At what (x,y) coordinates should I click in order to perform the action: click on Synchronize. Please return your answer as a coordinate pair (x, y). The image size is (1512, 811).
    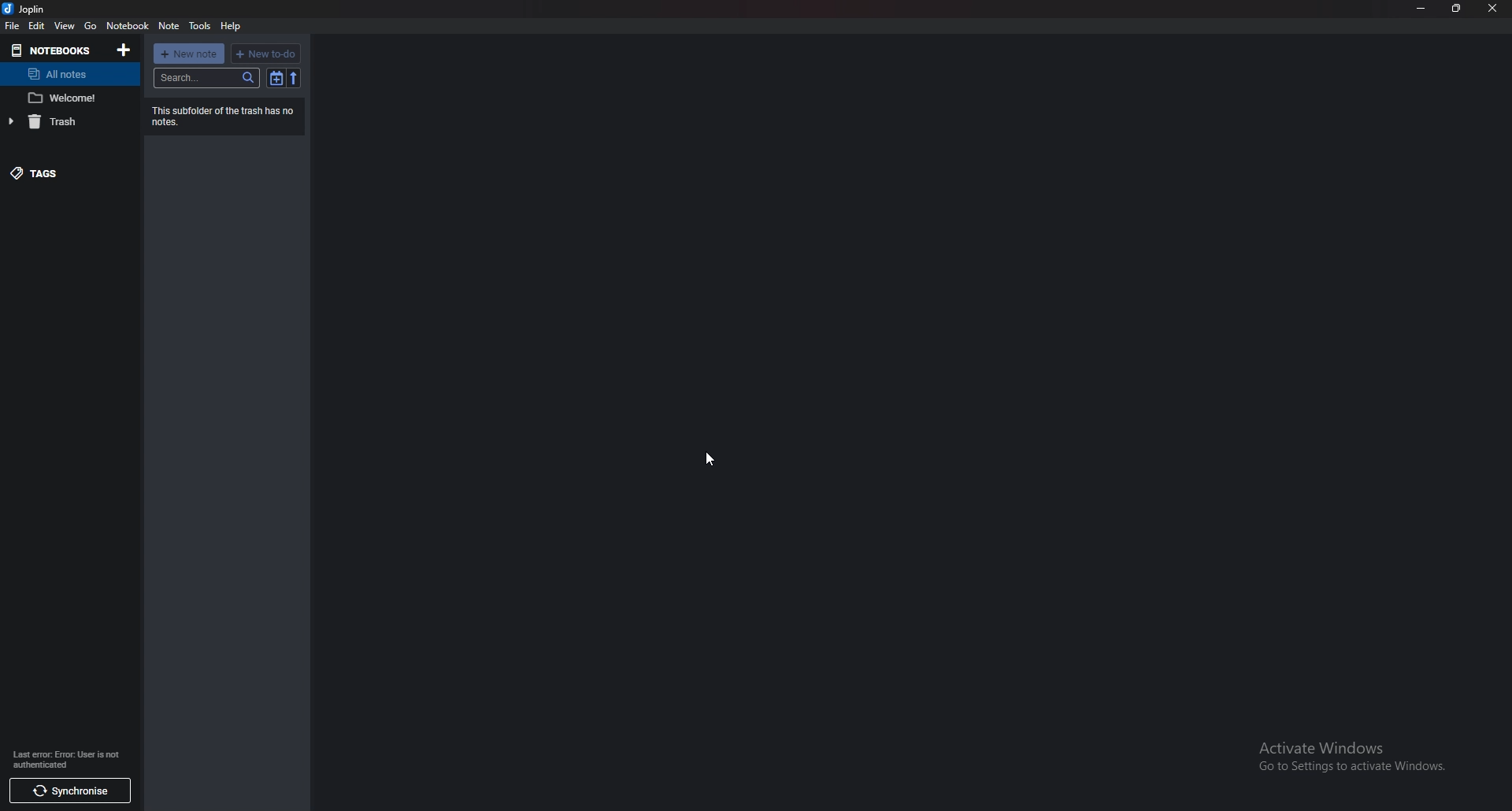
    Looking at the image, I should click on (72, 791).